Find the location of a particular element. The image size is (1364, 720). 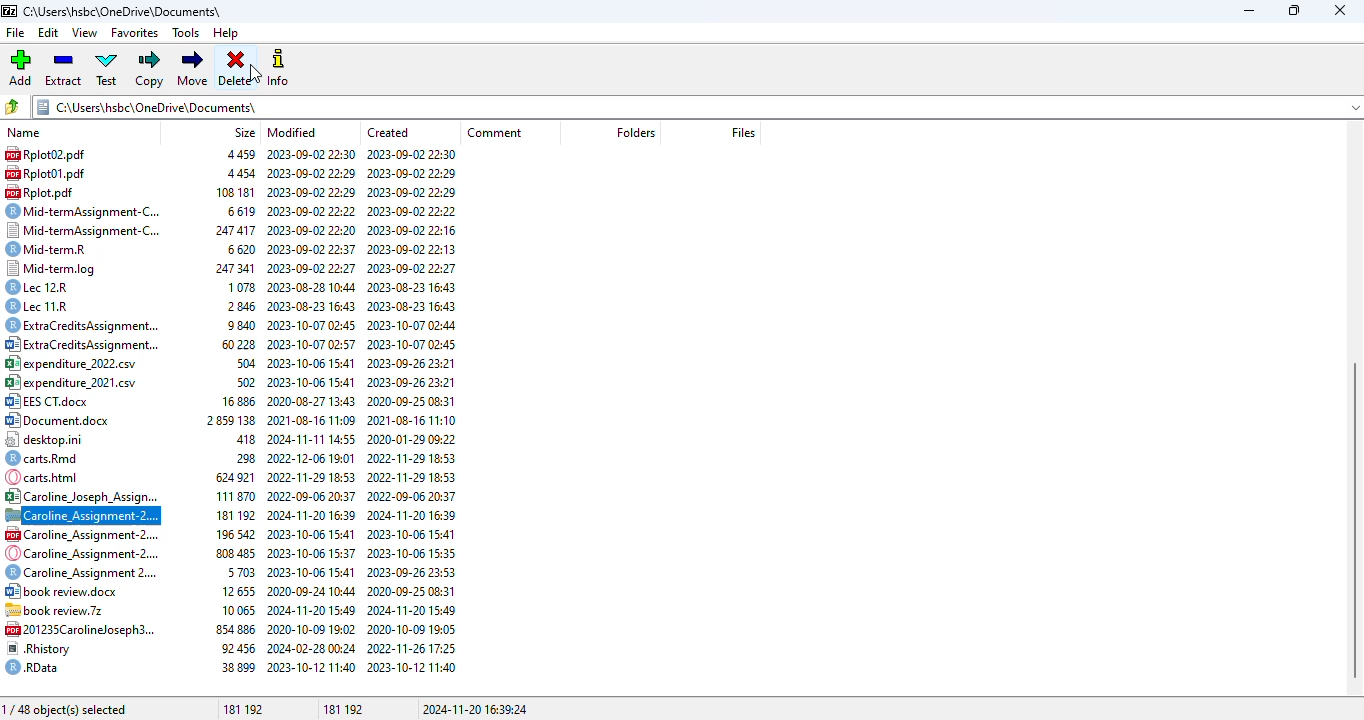

maximize is located at coordinates (1295, 10).